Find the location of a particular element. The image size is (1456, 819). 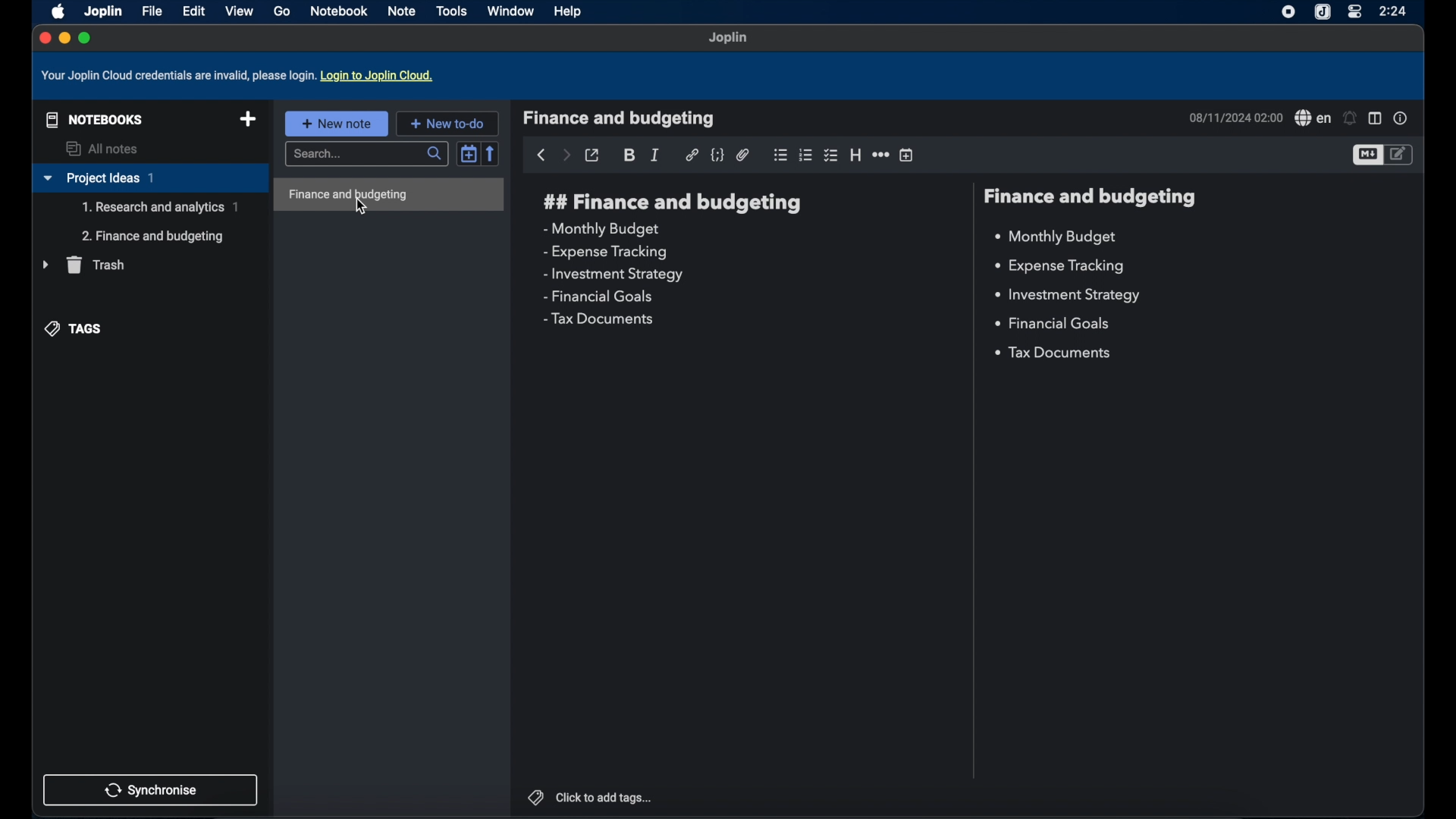

Joplin is located at coordinates (729, 39).